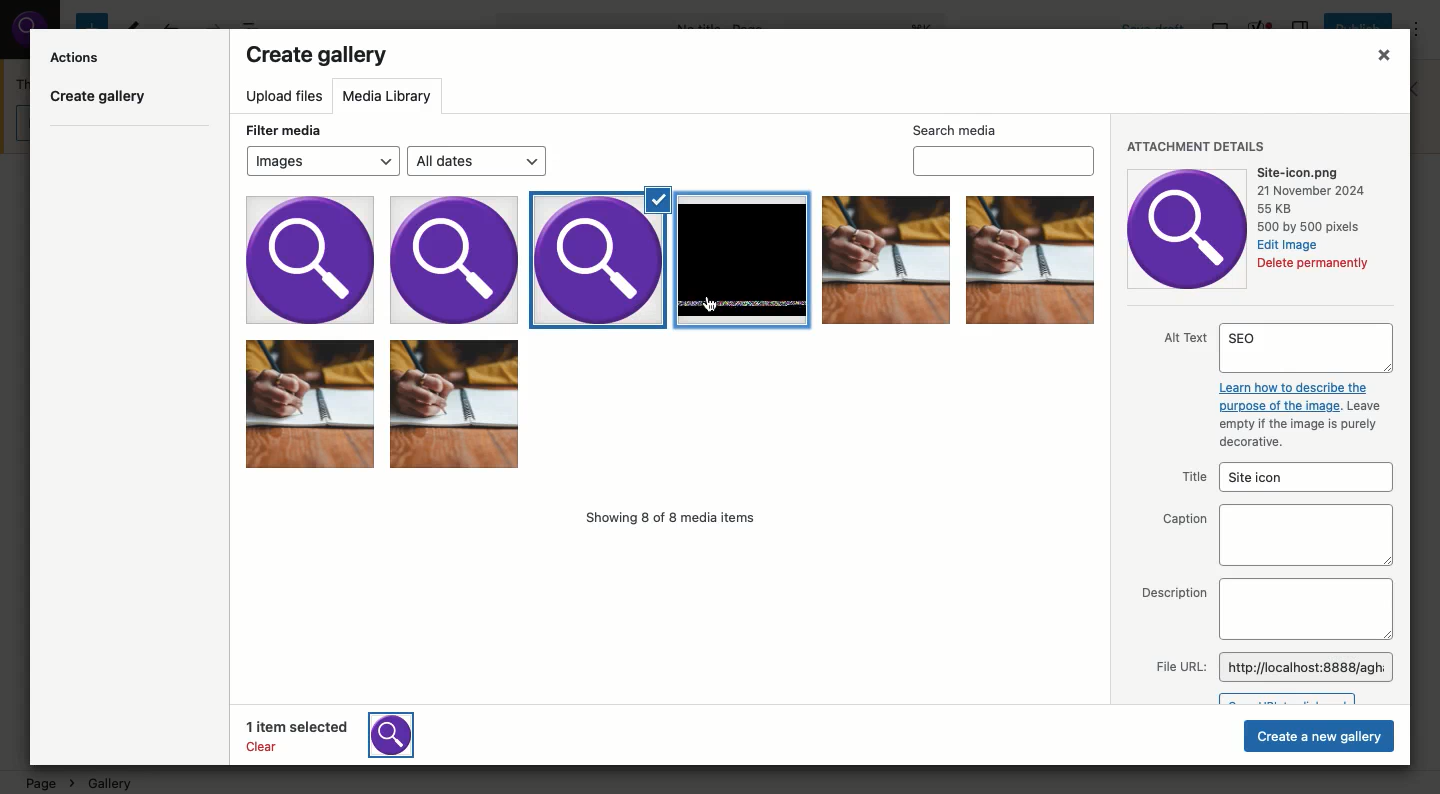 This screenshot has height=794, width=1440. Describe the element at coordinates (282, 128) in the screenshot. I see `Filter media ` at that location.